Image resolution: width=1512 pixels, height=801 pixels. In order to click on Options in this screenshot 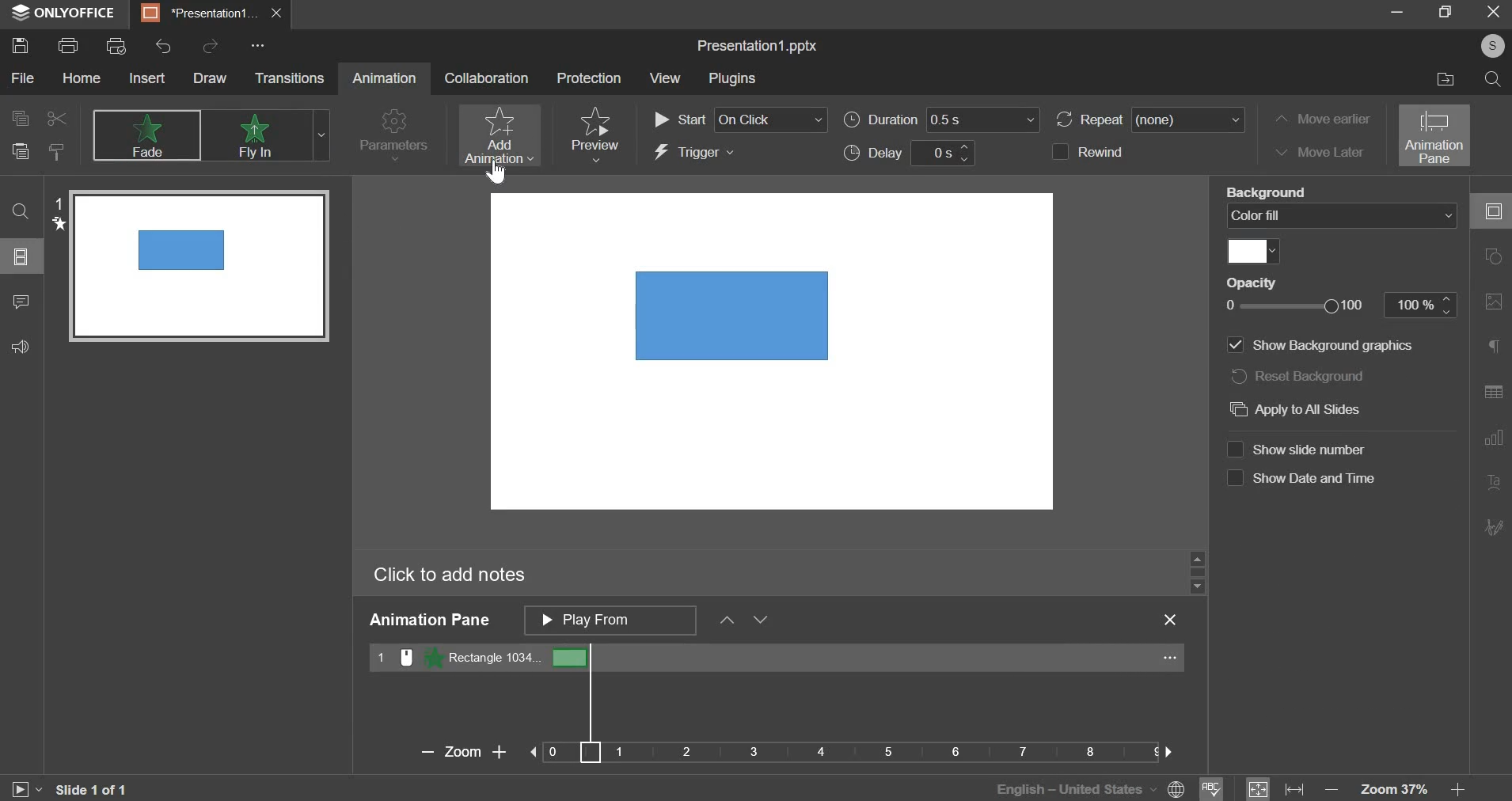, I will do `click(255, 45)`.